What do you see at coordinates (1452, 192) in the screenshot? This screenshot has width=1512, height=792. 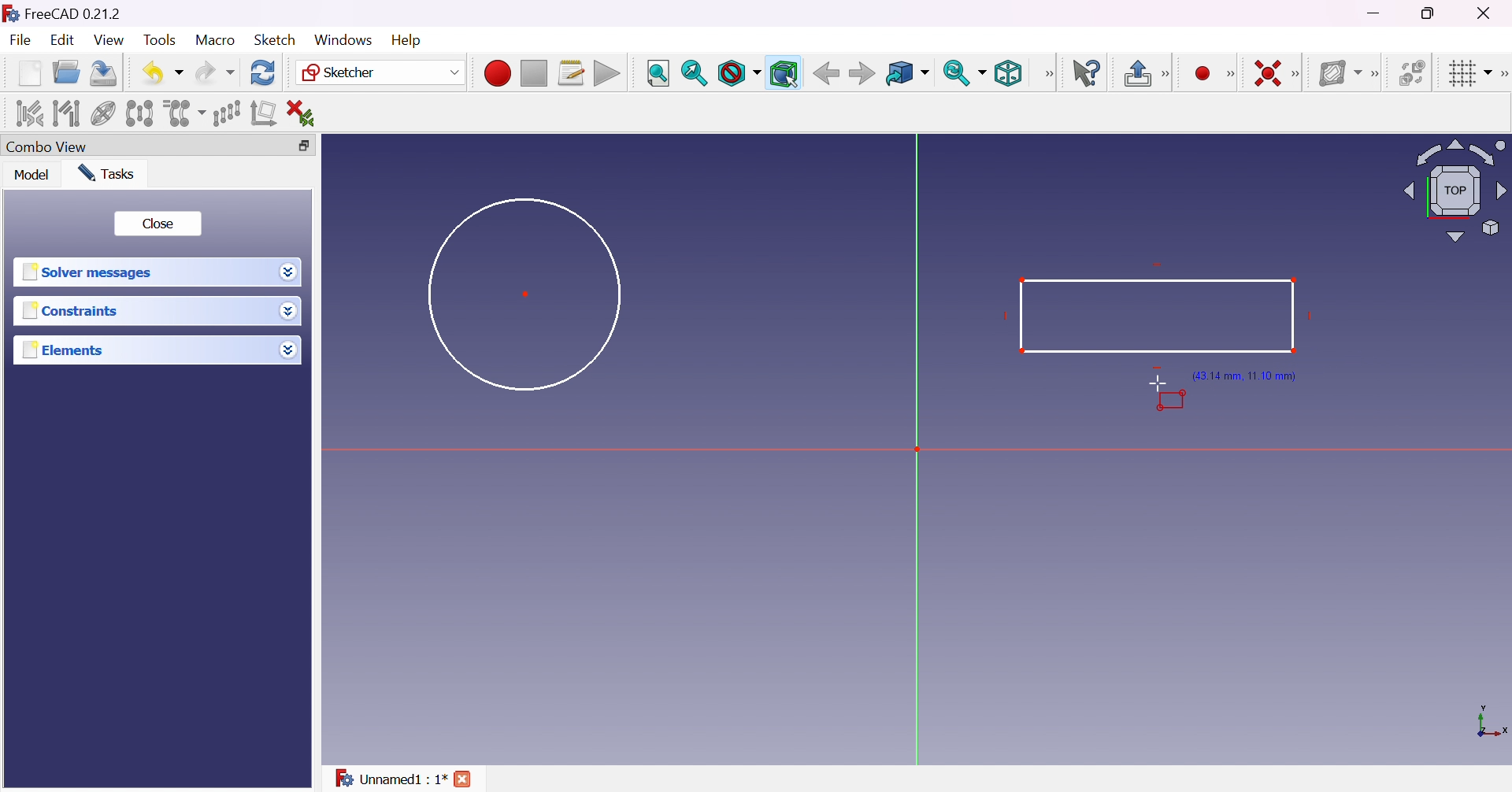 I see `Viewing angle` at bounding box center [1452, 192].